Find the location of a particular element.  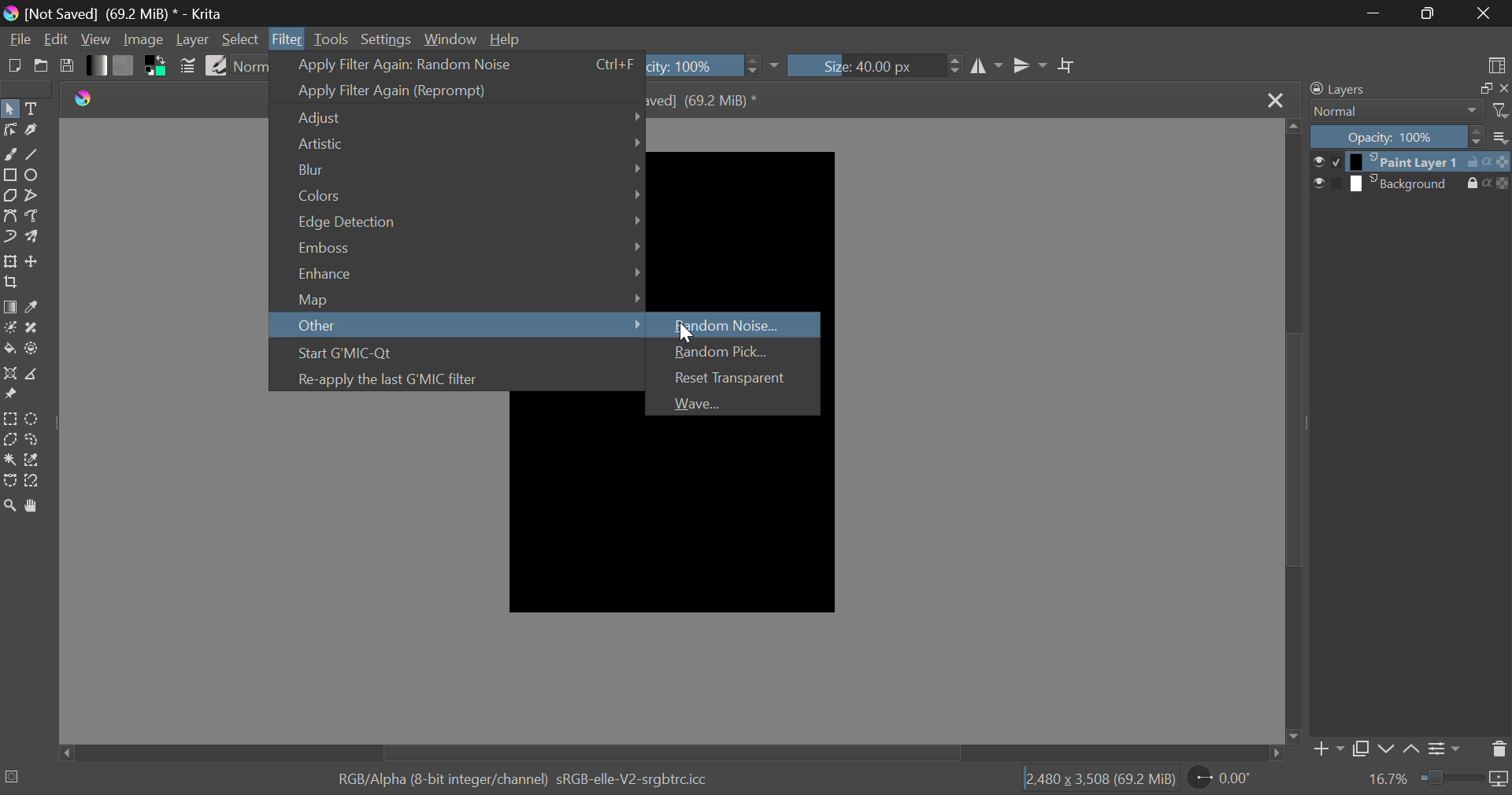

Rectangular Selection is located at coordinates (10, 418).